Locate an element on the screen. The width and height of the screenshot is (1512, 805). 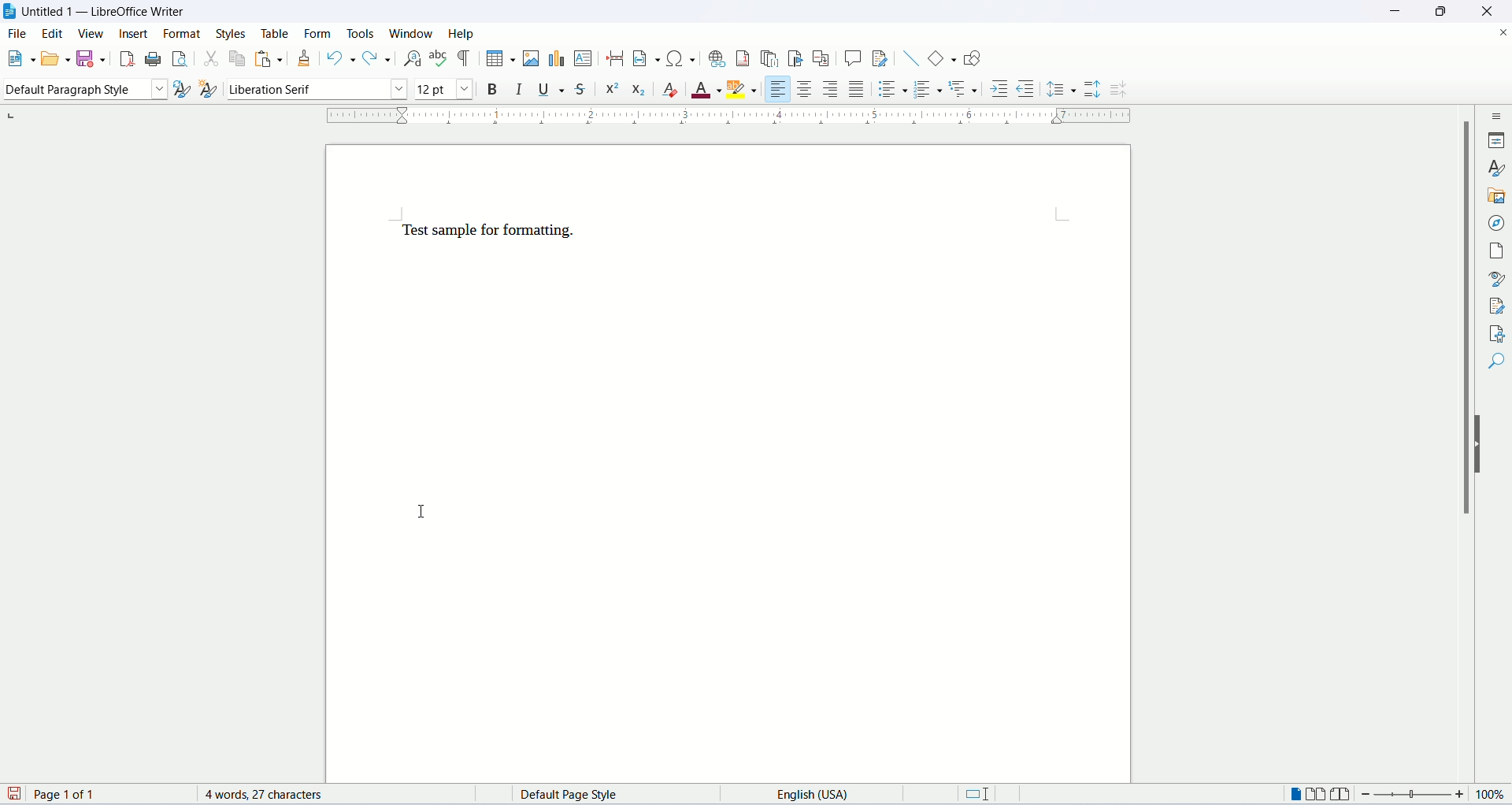
window is located at coordinates (412, 33).